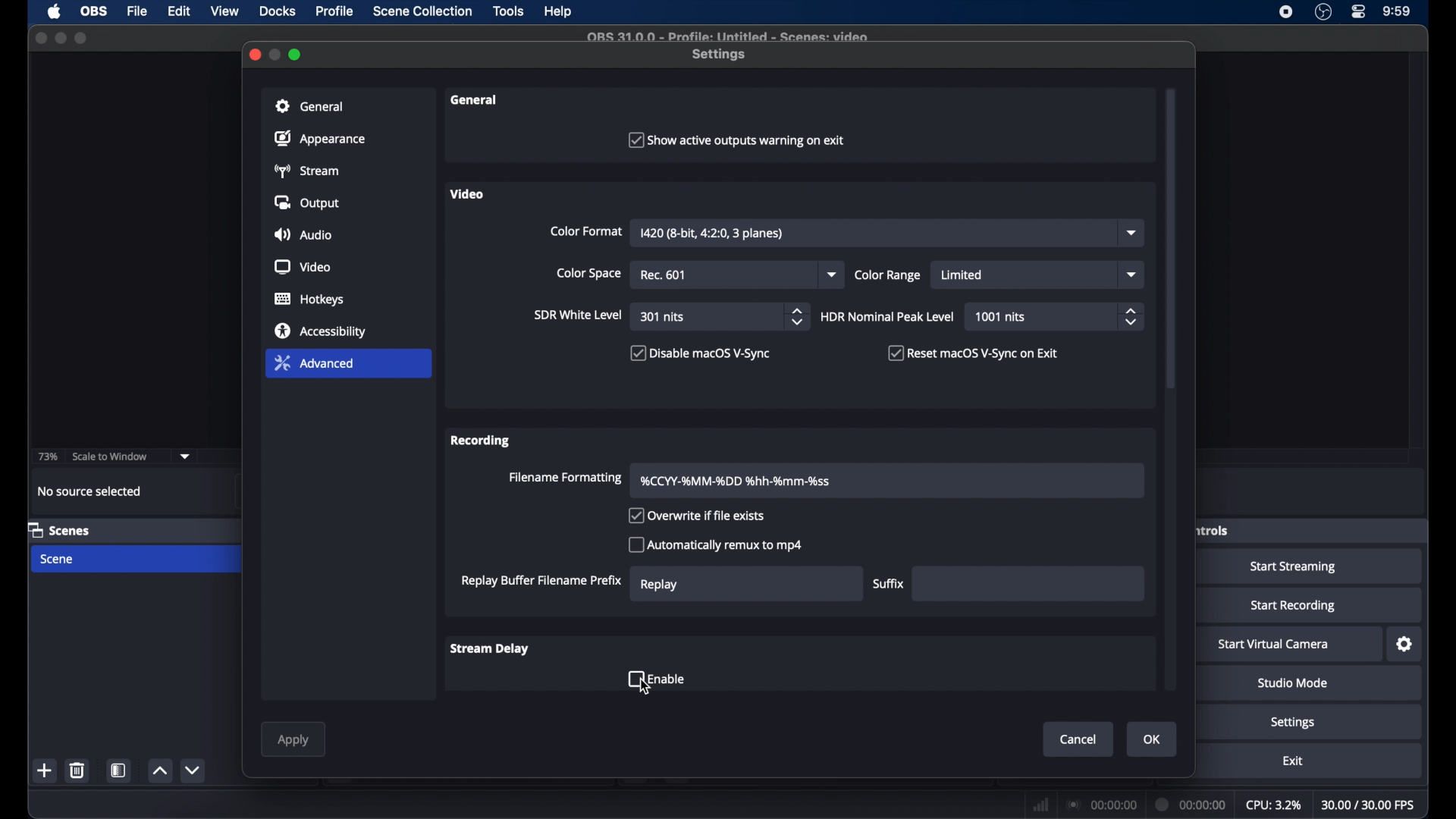 The height and width of the screenshot is (819, 1456). Describe the element at coordinates (1211, 530) in the screenshot. I see `obscure label` at that location.